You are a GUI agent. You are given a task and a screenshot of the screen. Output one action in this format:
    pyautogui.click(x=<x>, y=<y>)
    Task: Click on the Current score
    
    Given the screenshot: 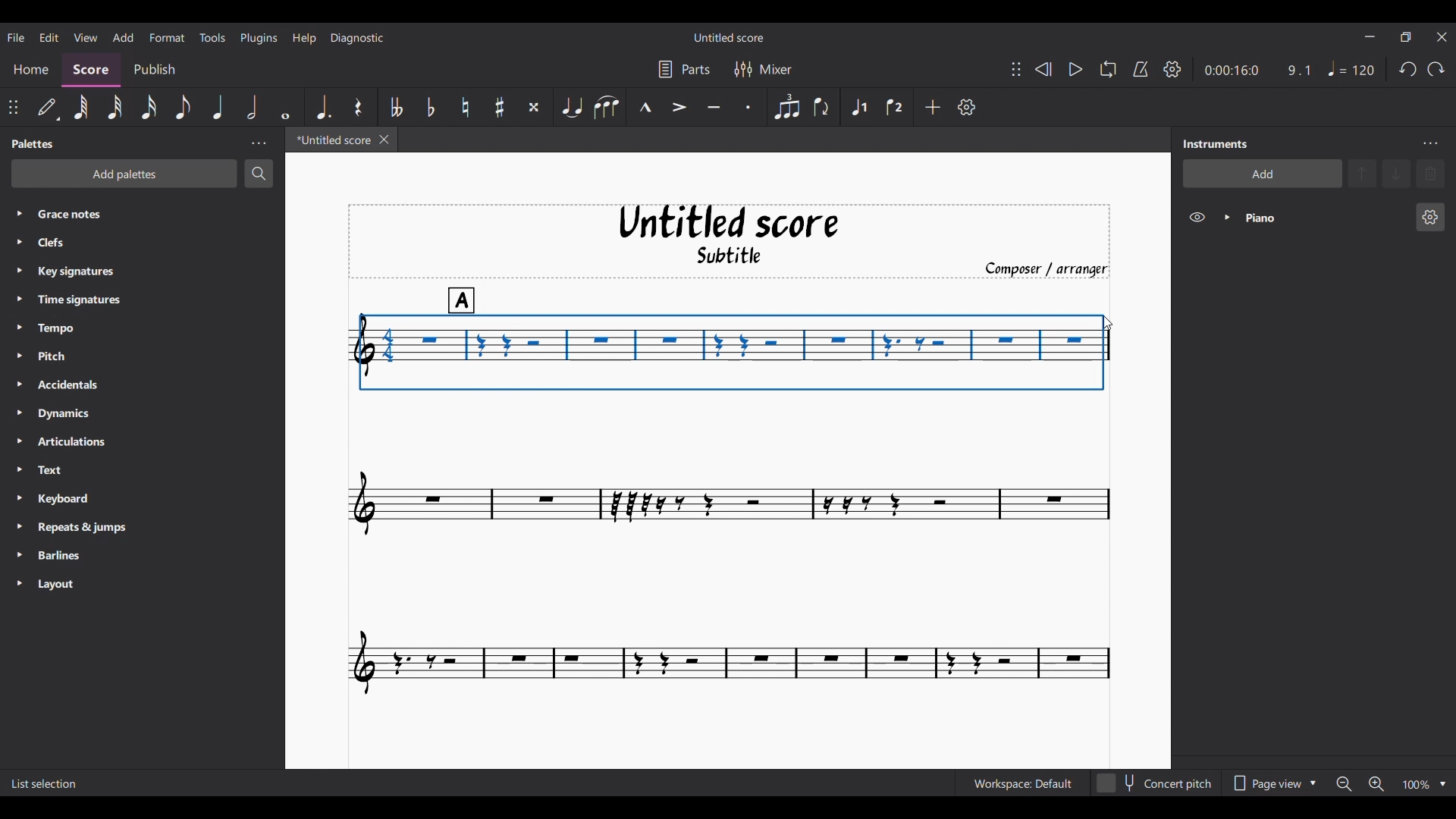 What is the action you would take?
    pyautogui.click(x=730, y=557)
    